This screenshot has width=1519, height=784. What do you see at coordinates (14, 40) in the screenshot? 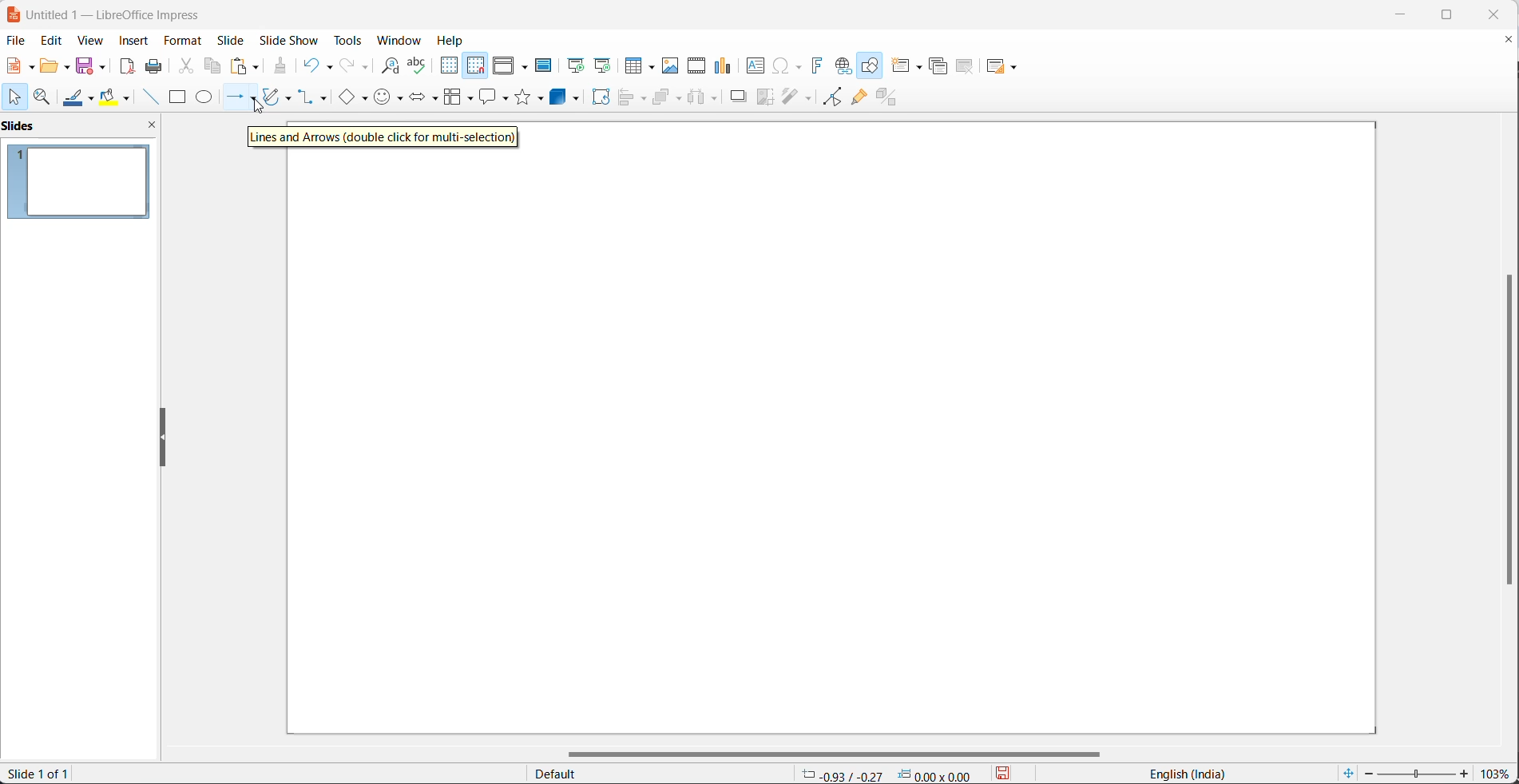
I see `file` at bounding box center [14, 40].